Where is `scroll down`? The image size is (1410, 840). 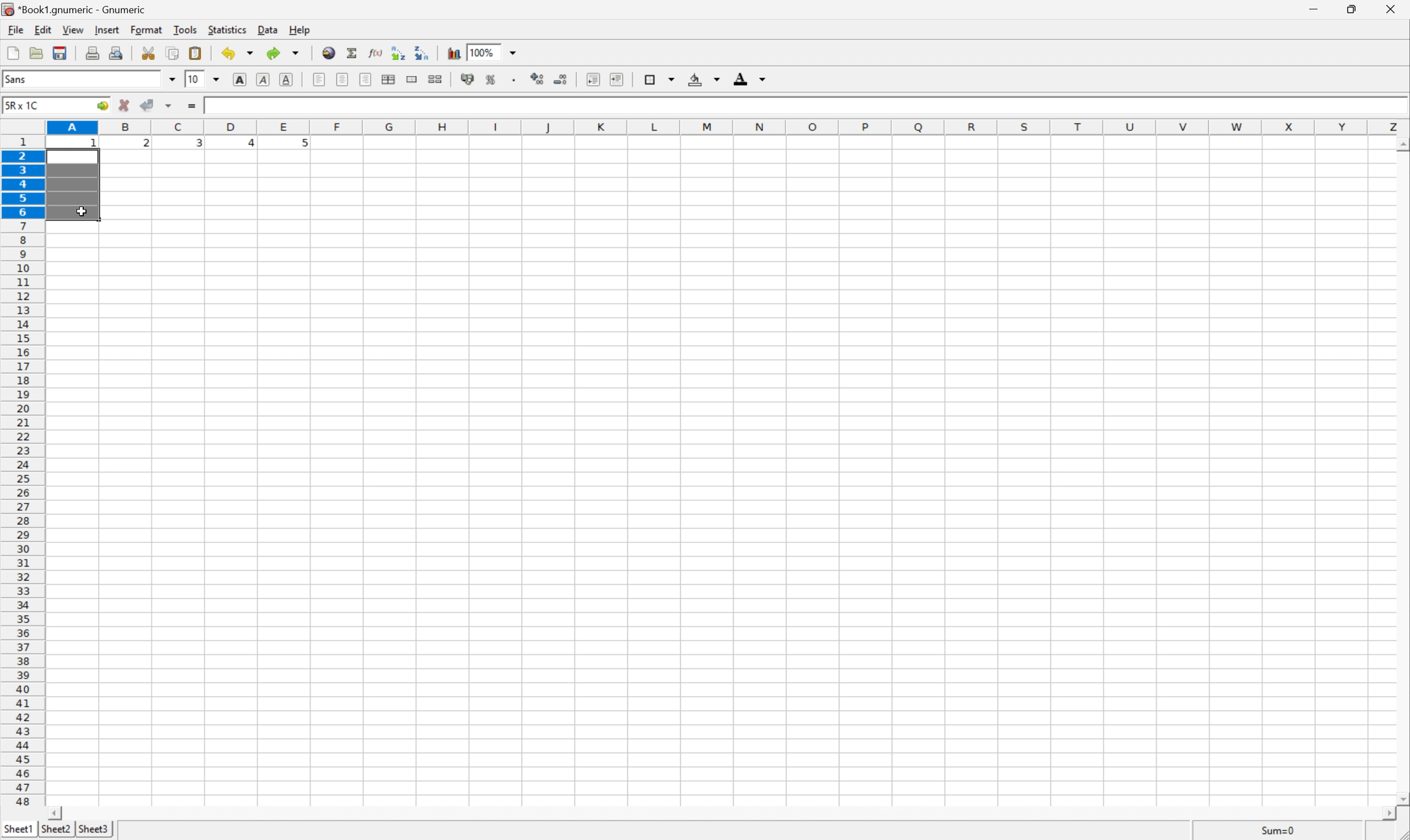
scroll down is located at coordinates (1401, 794).